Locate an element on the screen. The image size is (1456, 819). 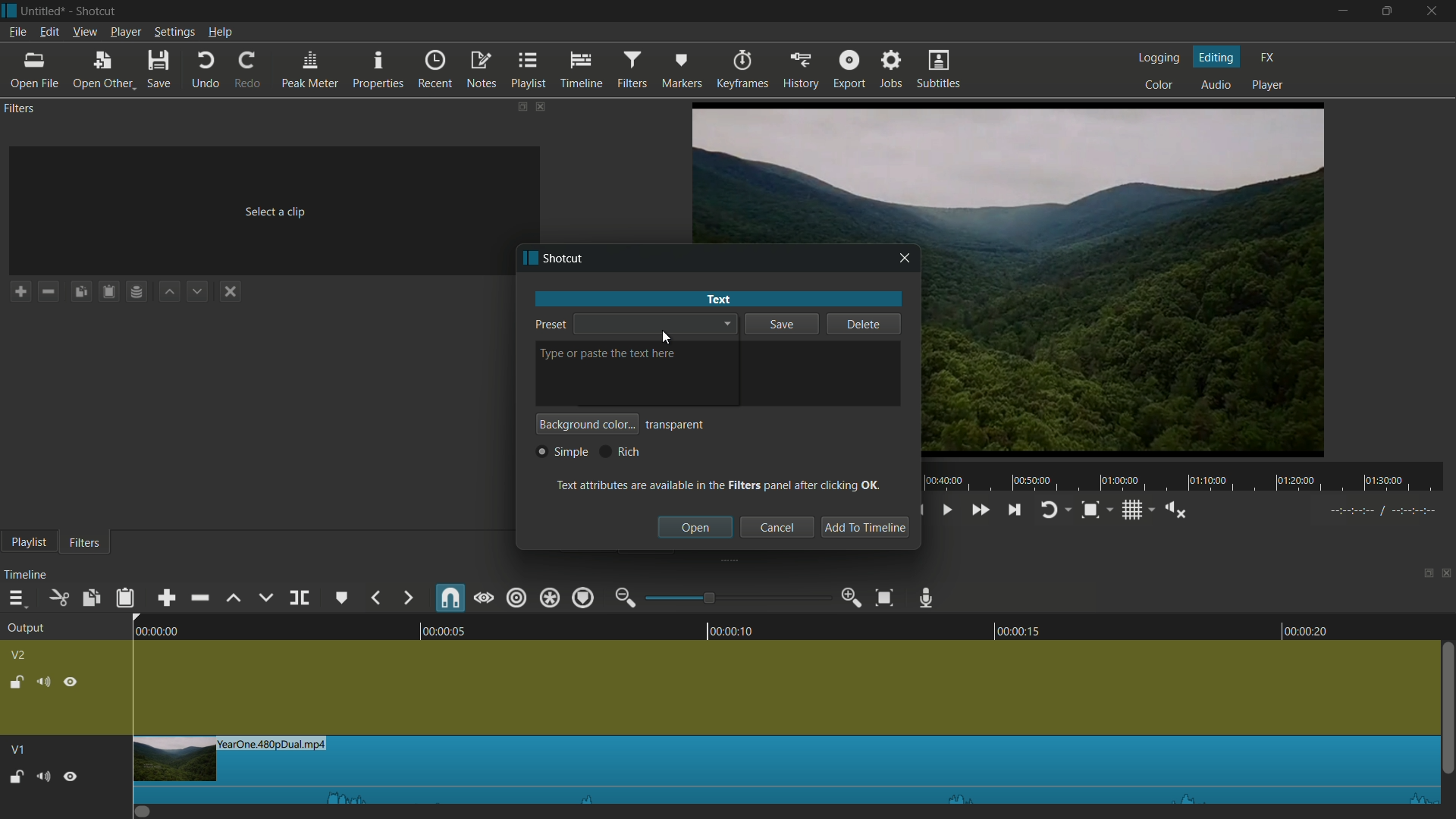
cancel is located at coordinates (777, 528).